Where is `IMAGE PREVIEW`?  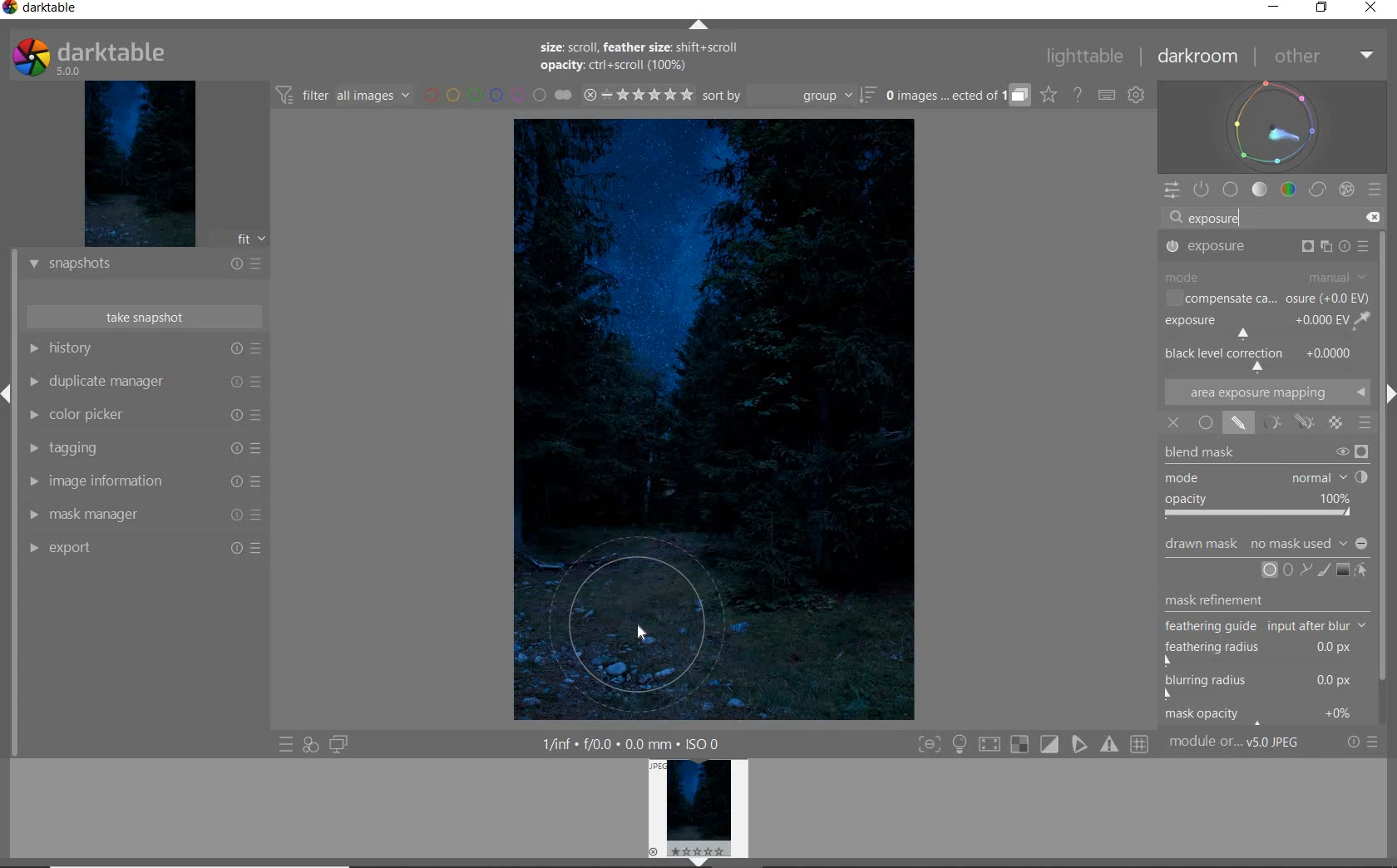 IMAGE PREVIEW is located at coordinates (141, 162).